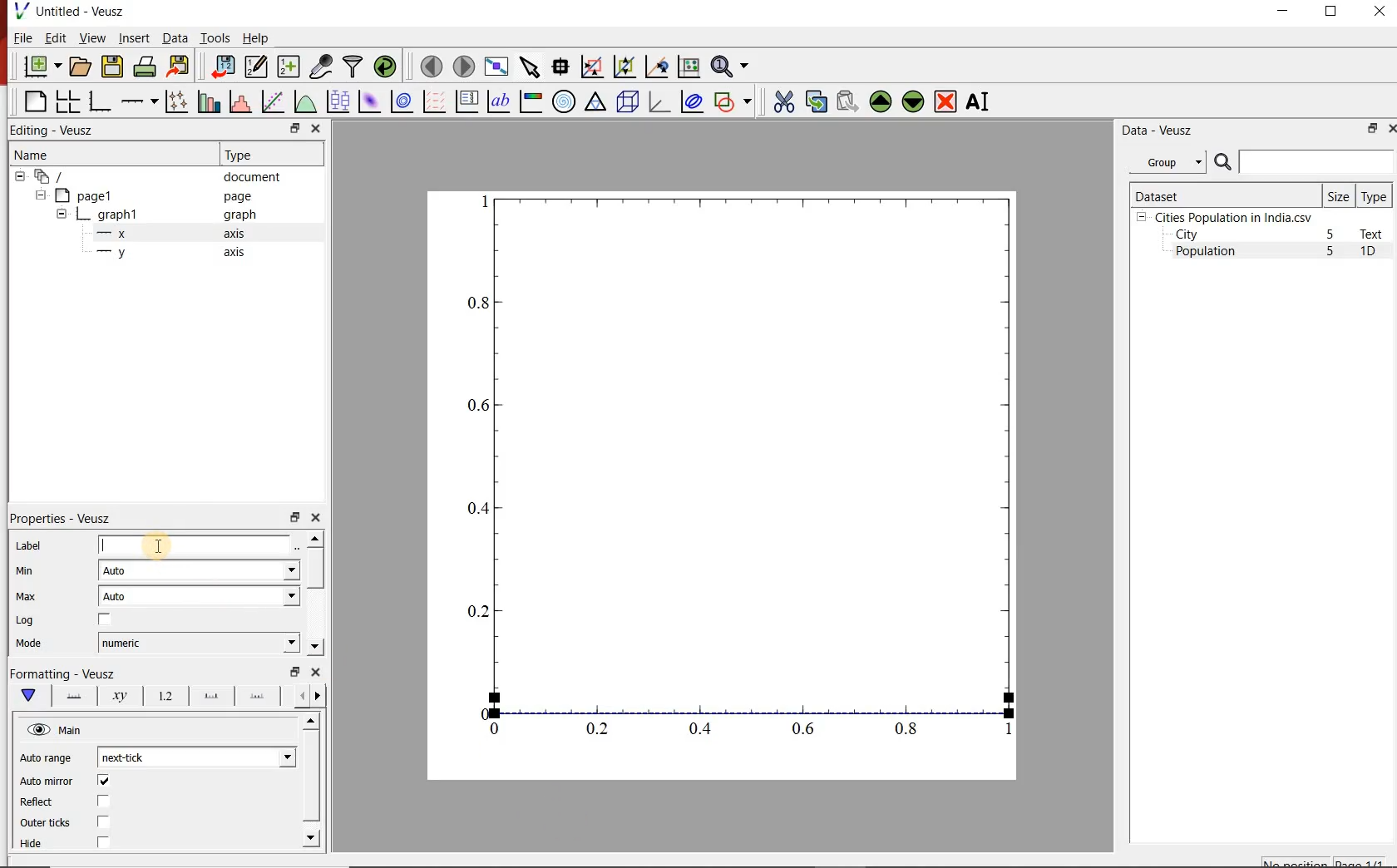 The image size is (1397, 868). I want to click on move the selected widget up, so click(881, 101).